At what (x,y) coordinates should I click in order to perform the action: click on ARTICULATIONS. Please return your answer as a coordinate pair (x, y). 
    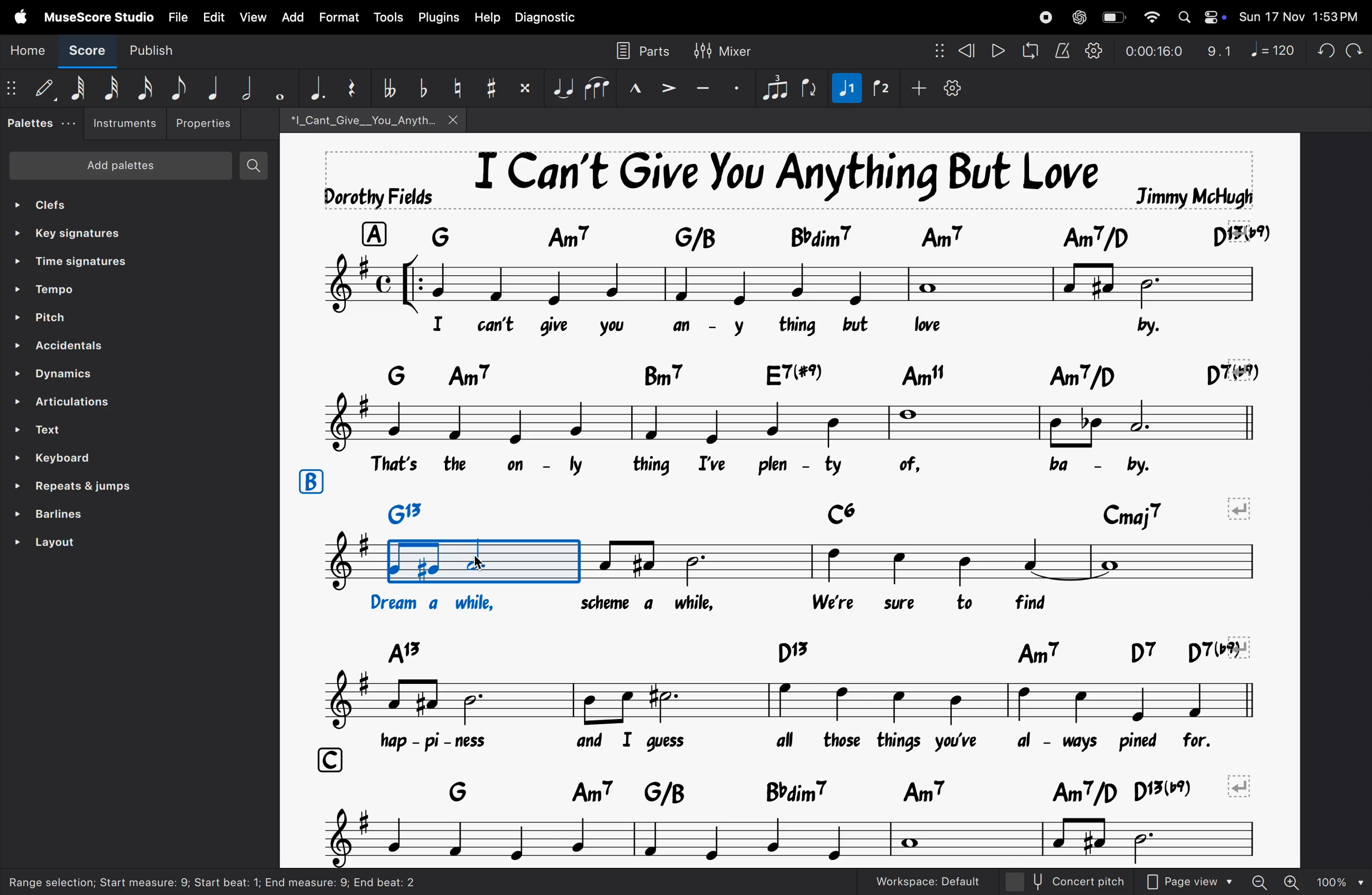
    Looking at the image, I should click on (66, 402).